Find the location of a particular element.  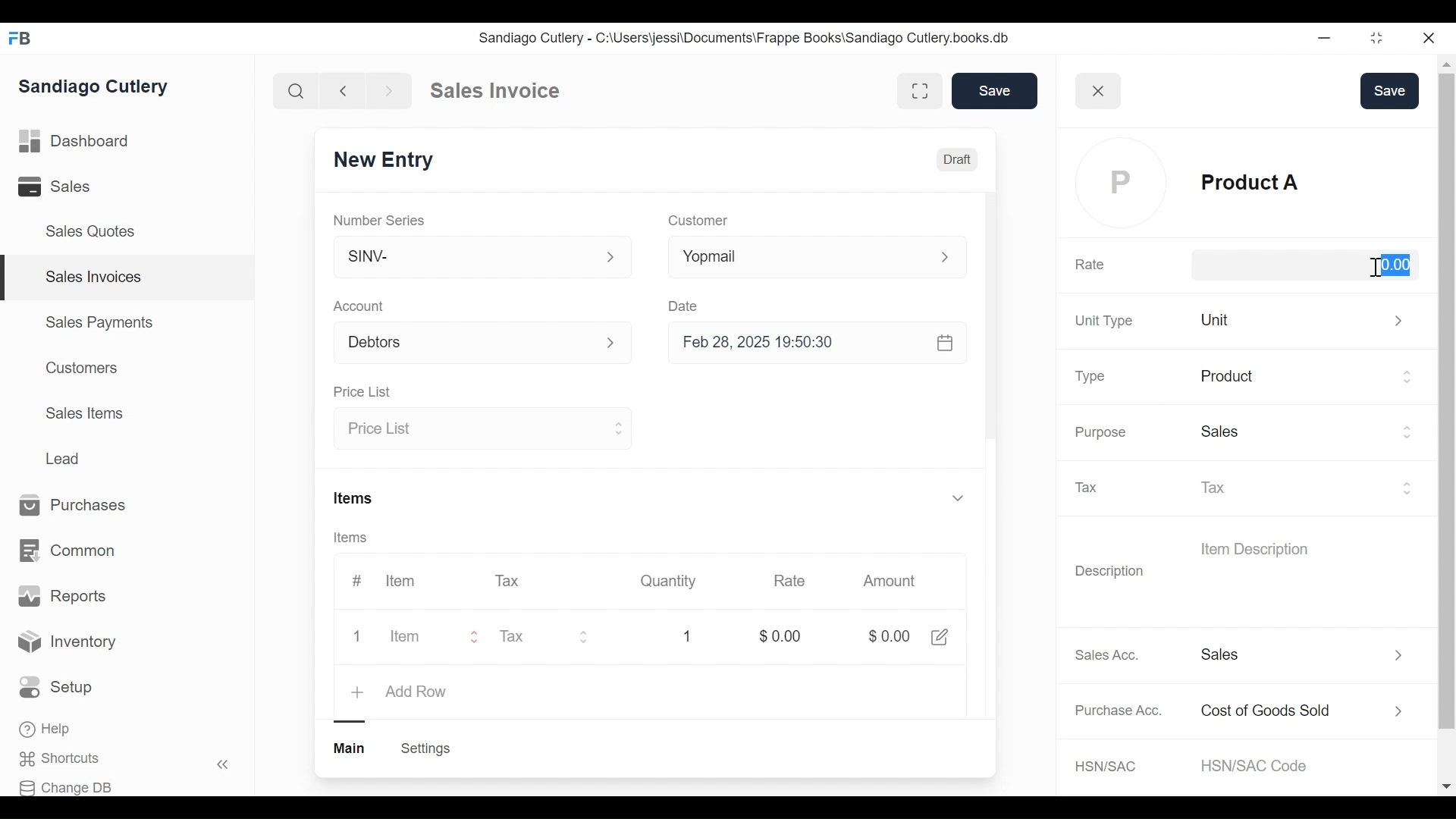

+ add row is located at coordinates (402, 690).